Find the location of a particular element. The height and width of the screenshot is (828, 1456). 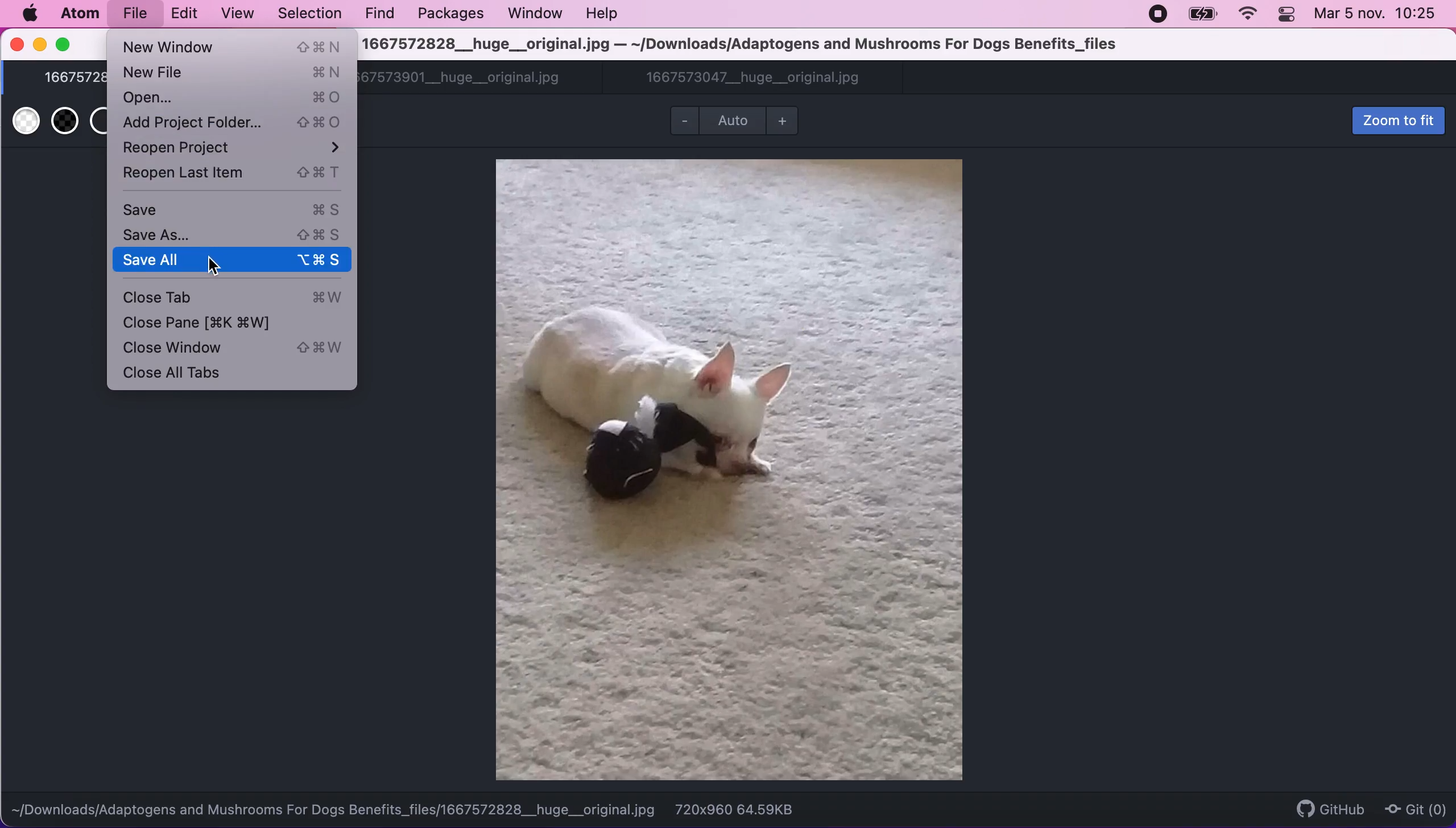

Git (0) is located at coordinates (1414, 808).